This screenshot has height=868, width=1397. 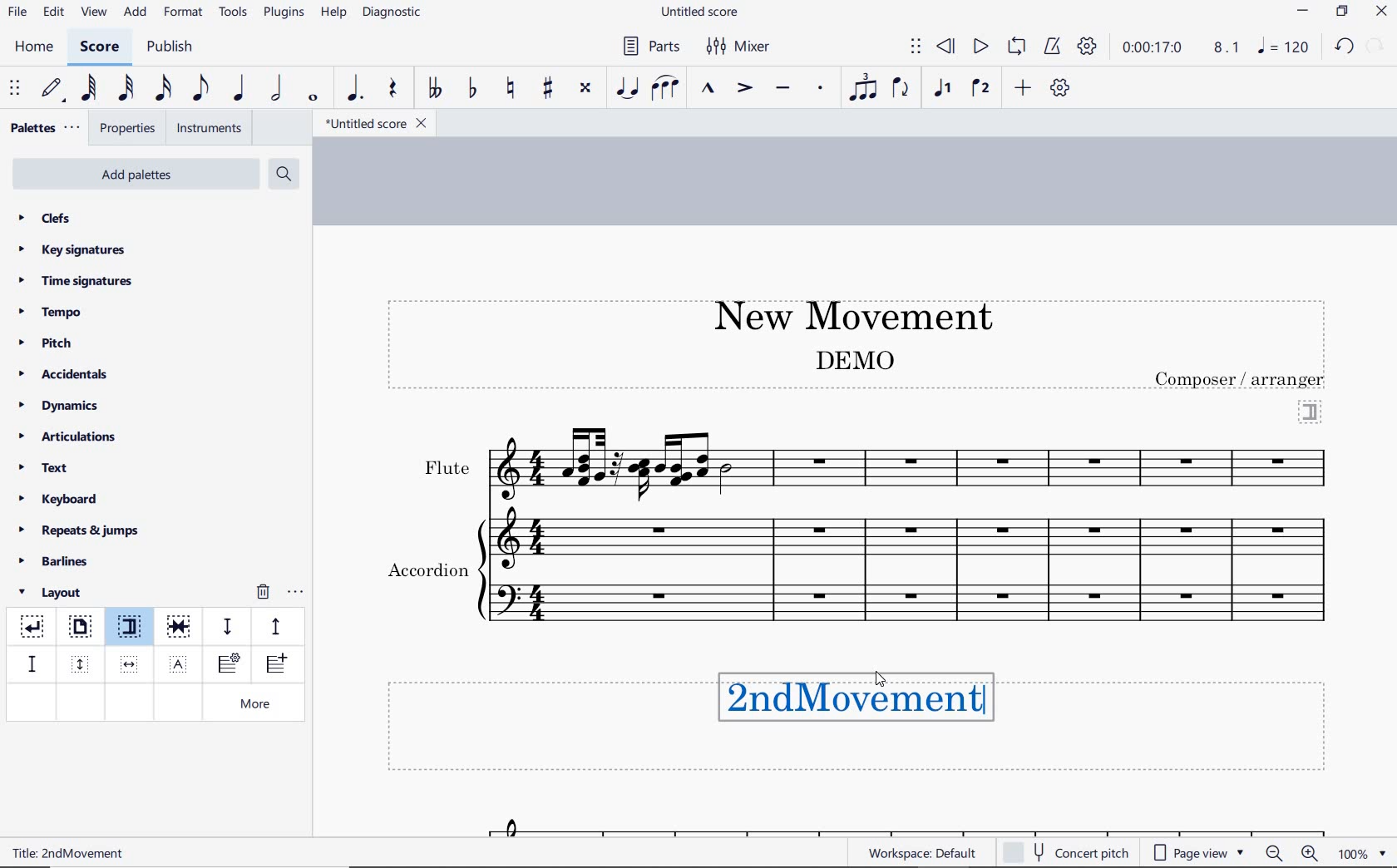 I want to click on playback settings, so click(x=1089, y=46).